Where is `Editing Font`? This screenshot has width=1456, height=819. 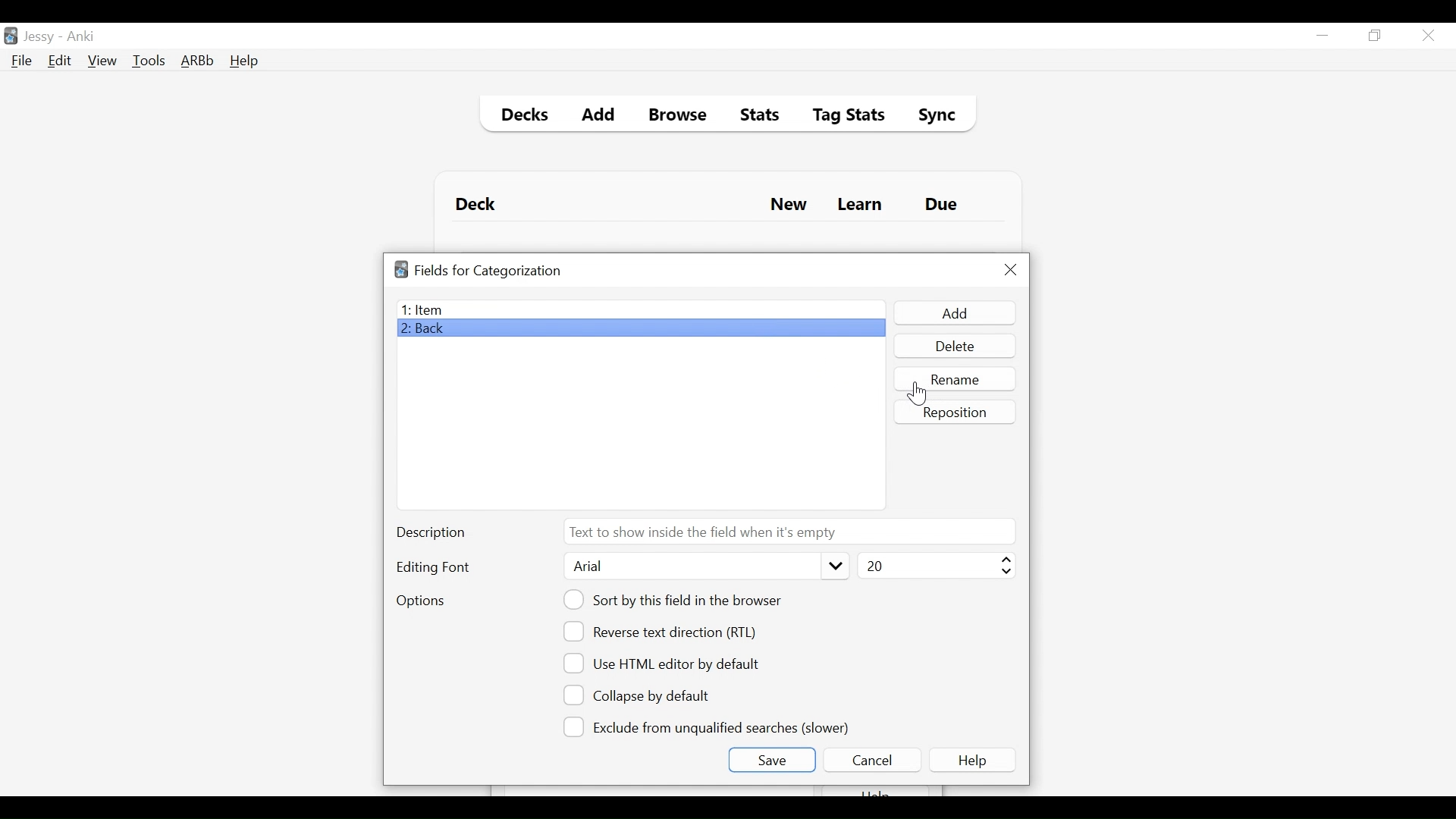
Editing Font is located at coordinates (435, 567).